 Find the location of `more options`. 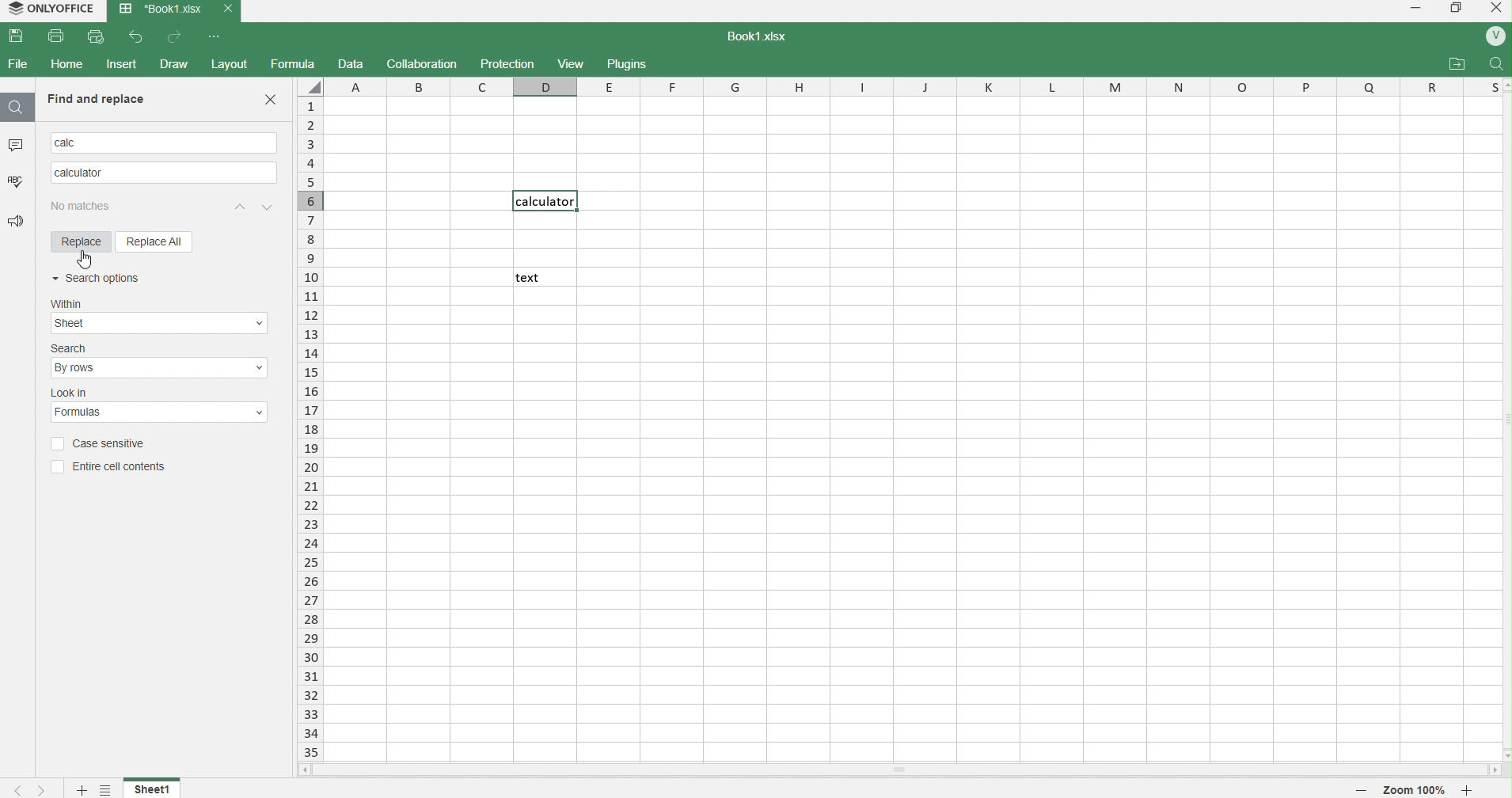

more options is located at coordinates (216, 38).